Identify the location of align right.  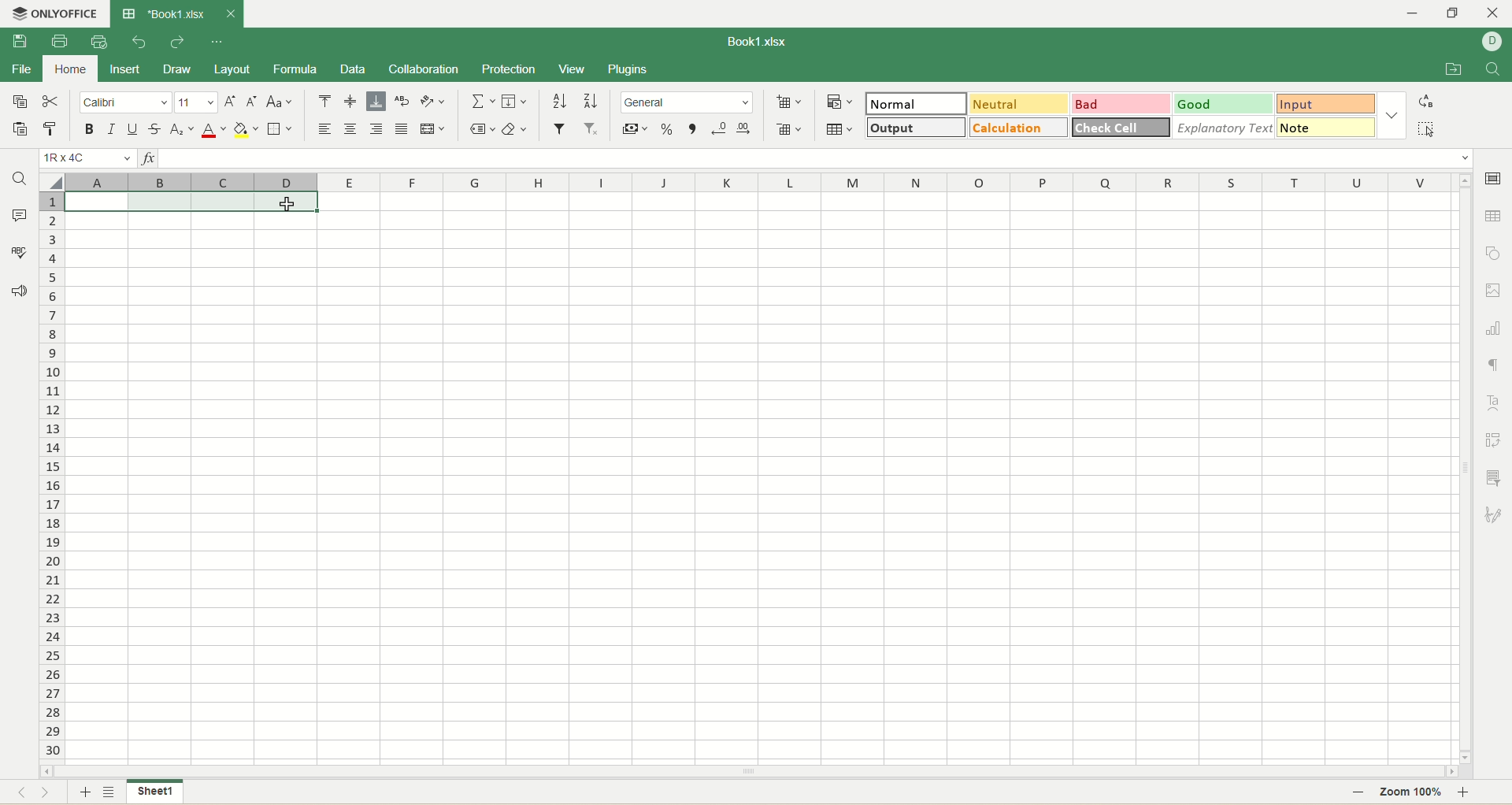
(376, 129).